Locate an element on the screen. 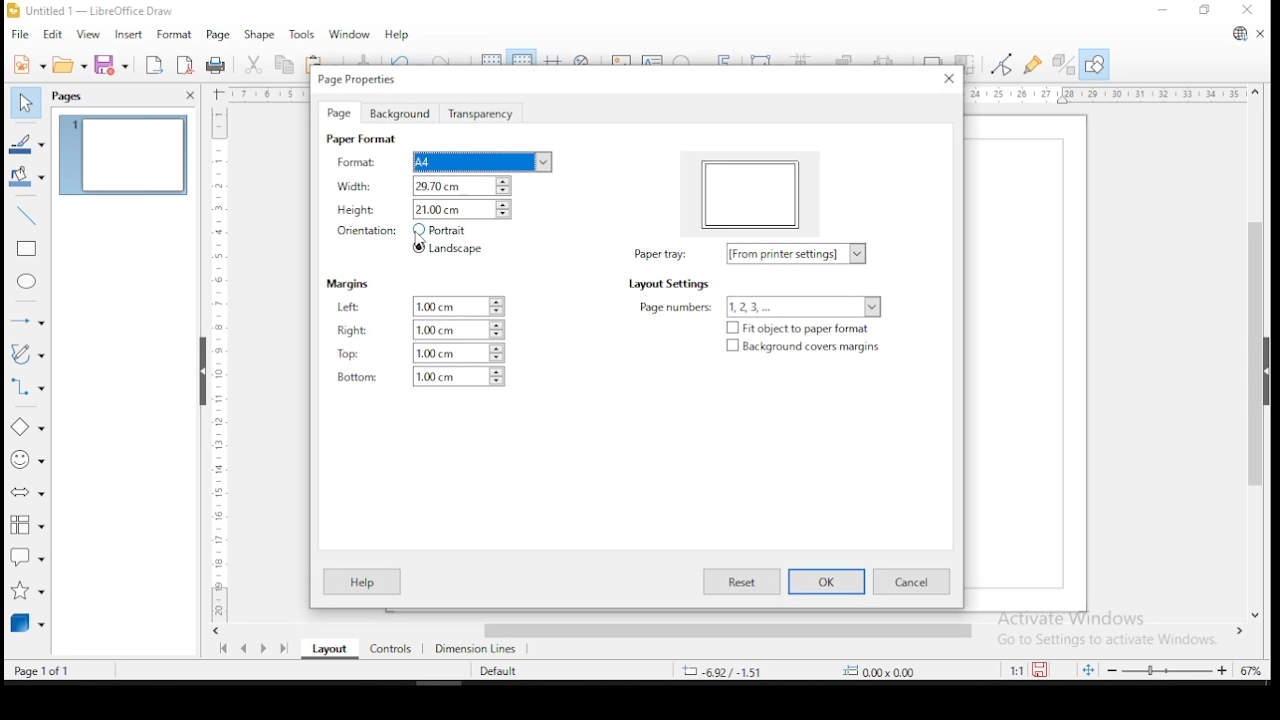 The height and width of the screenshot is (720, 1280). view is located at coordinates (89, 36).